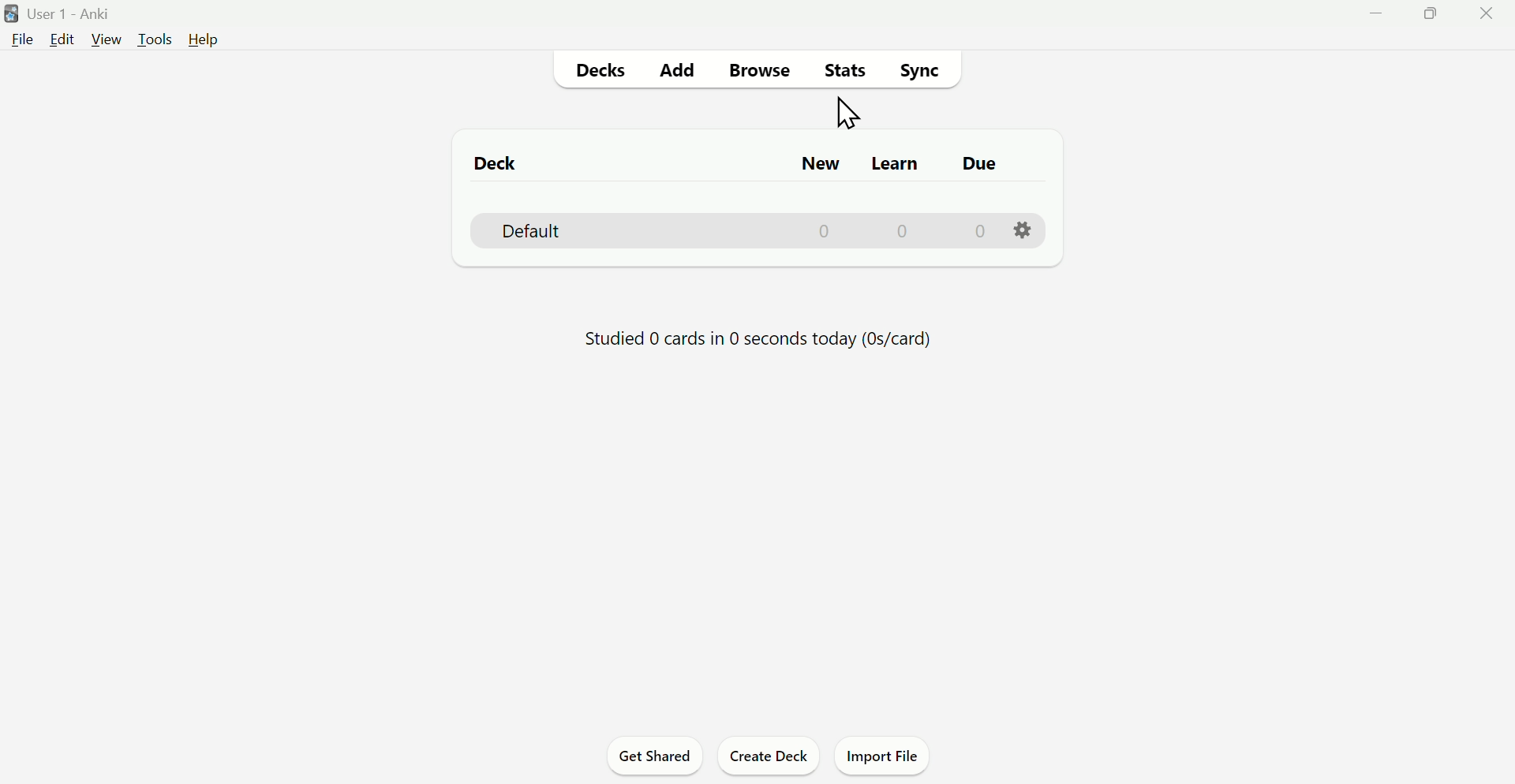 The height and width of the screenshot is (784, 1515). What do you see at coordinates (974, 163) in the screenshot?
I see `Due` at bounding box center [974, 163].